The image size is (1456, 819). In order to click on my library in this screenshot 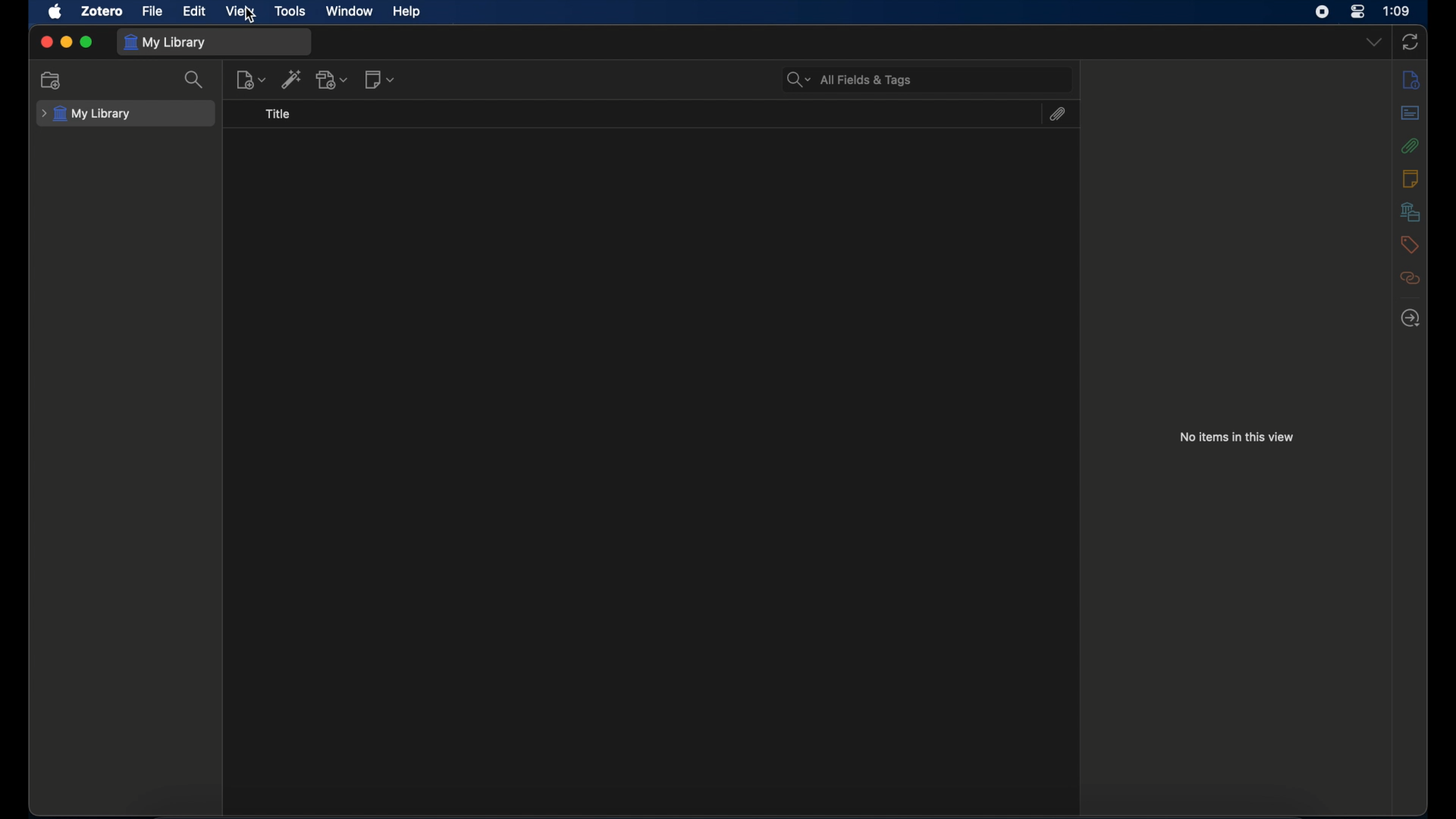, I will do `click(86, 113)`.